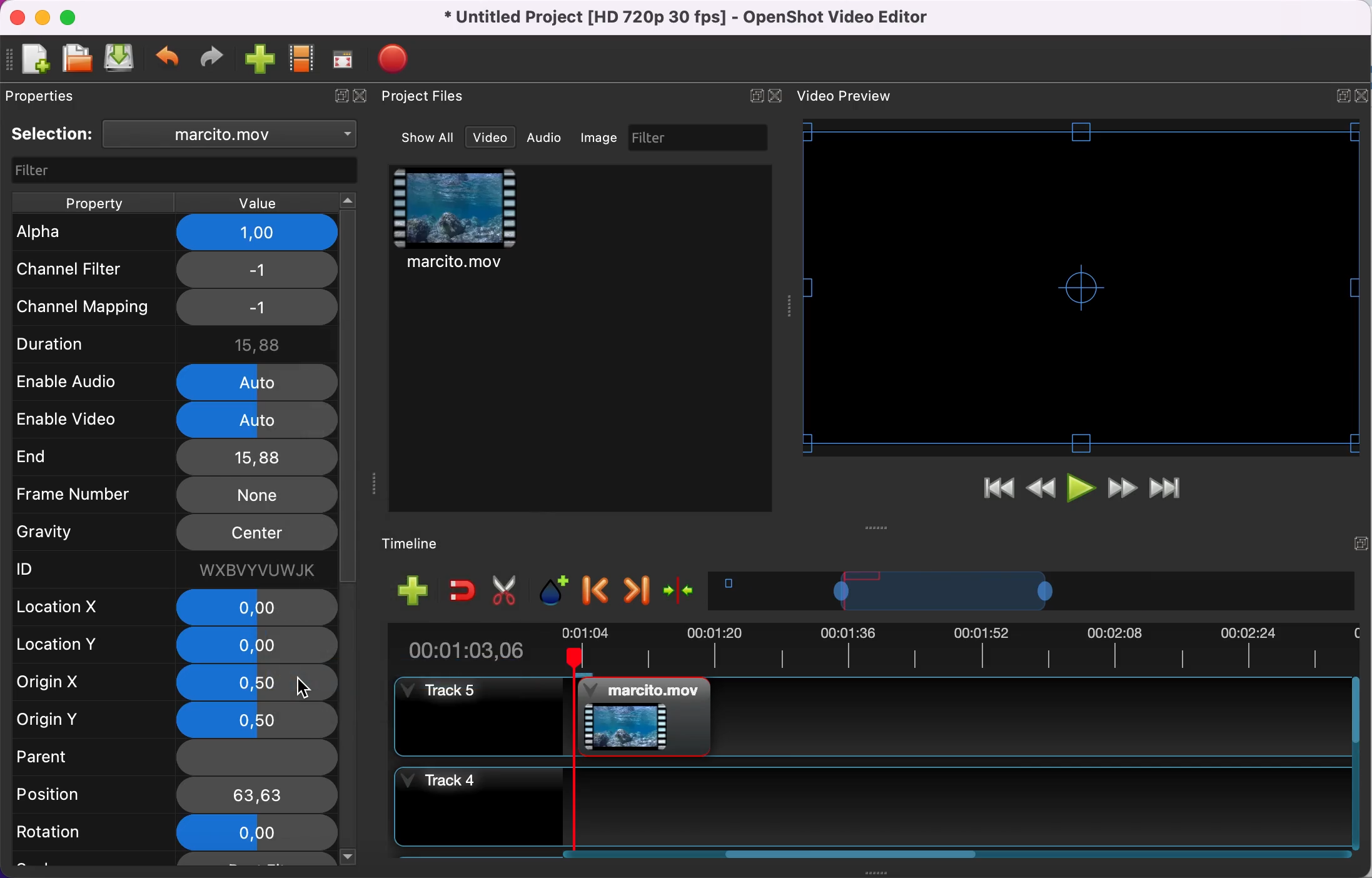  What do you see at coordinates (682, 589) in the screenshot?
I see `center the timeline` at bounding box center [682, 589].